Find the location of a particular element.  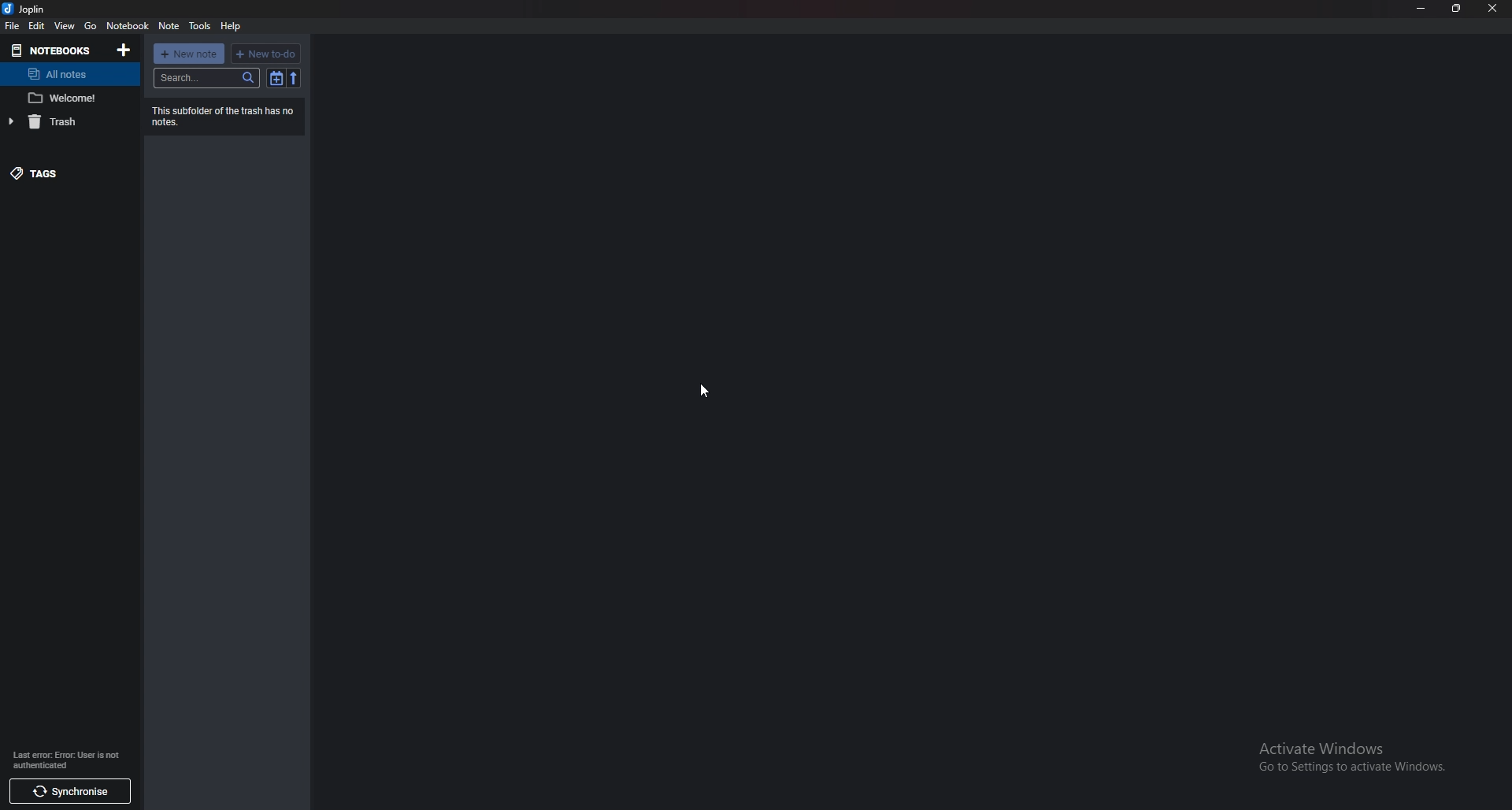

Notebooks is located at coordinates (54, 50).